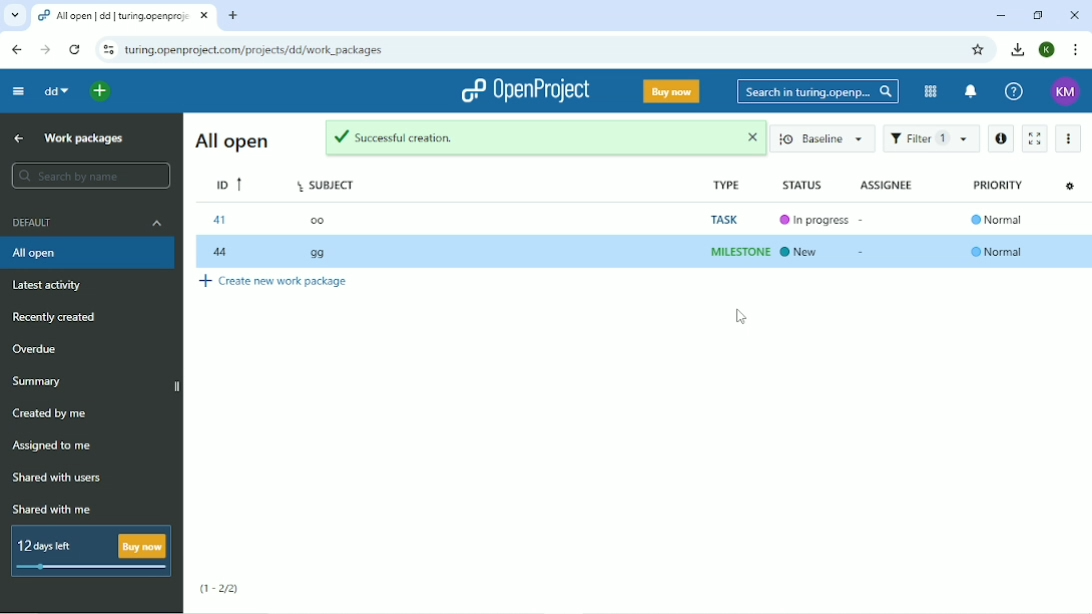  Describe the element at coordinates (1036, 139) in the screenshot. I see `Activate zen mode` at that location.